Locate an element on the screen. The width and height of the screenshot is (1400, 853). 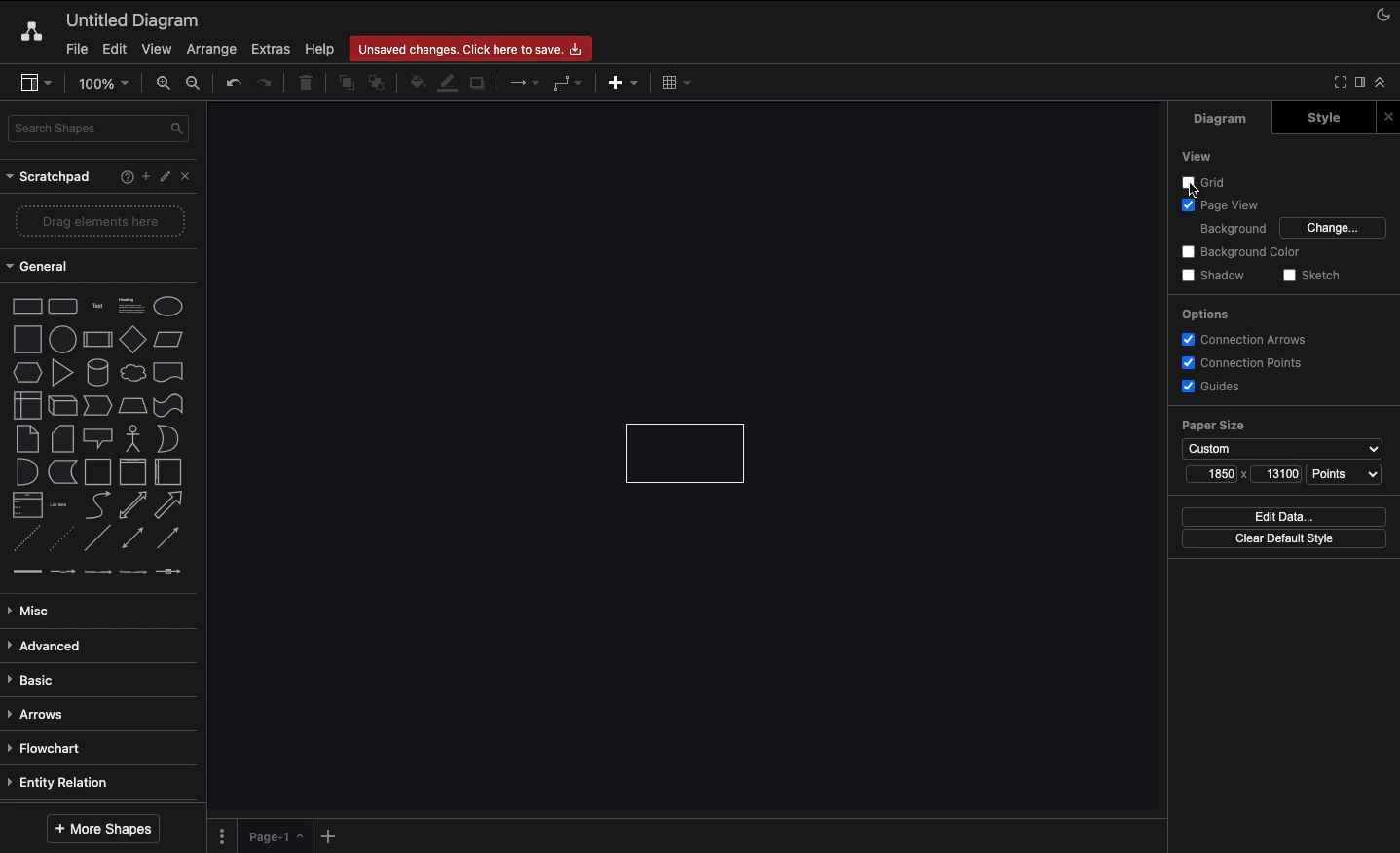
Redo is located at coordinates (266, 83).